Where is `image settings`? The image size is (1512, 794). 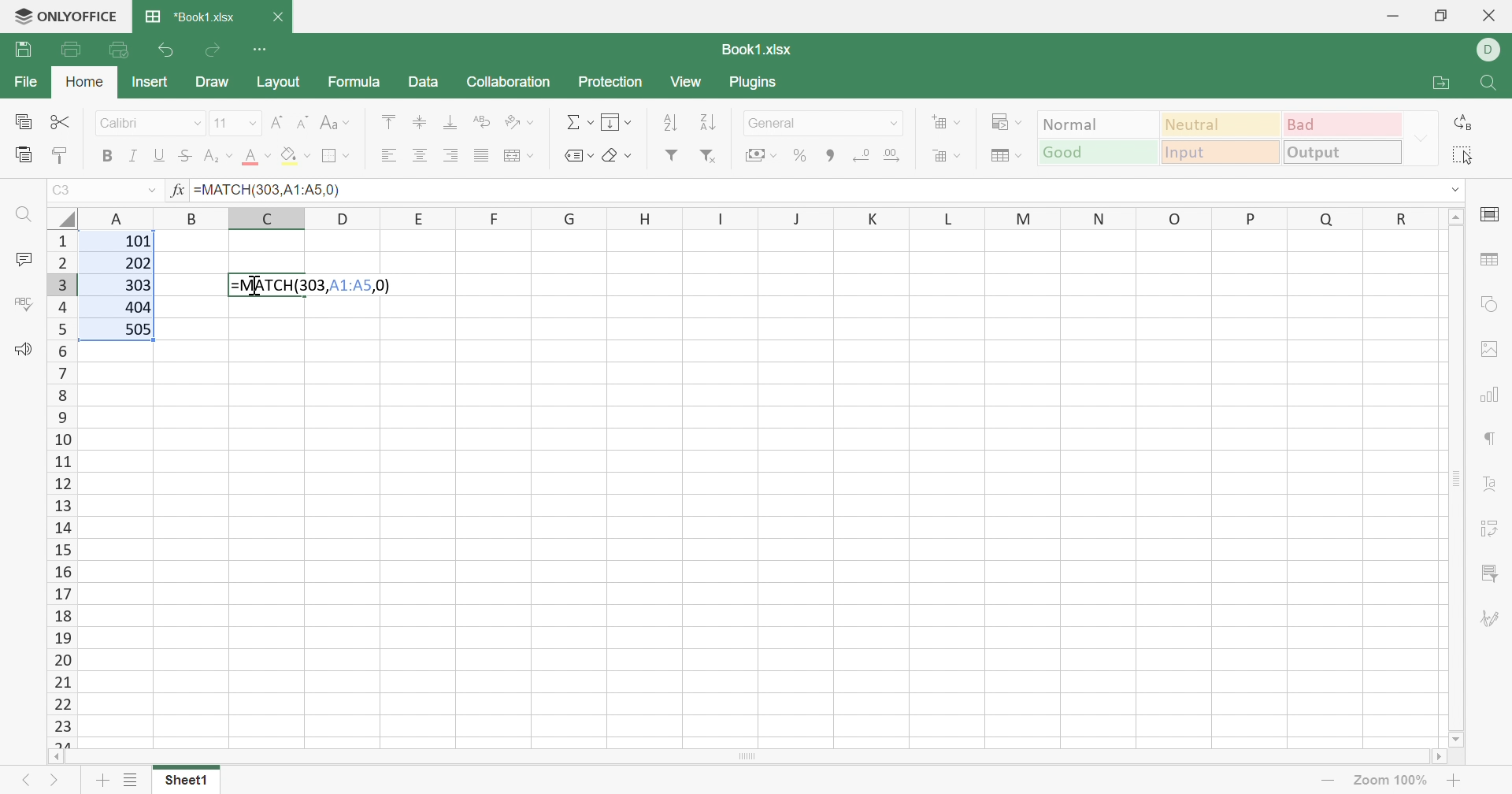 image settings is located at coordinates (1492, 347).